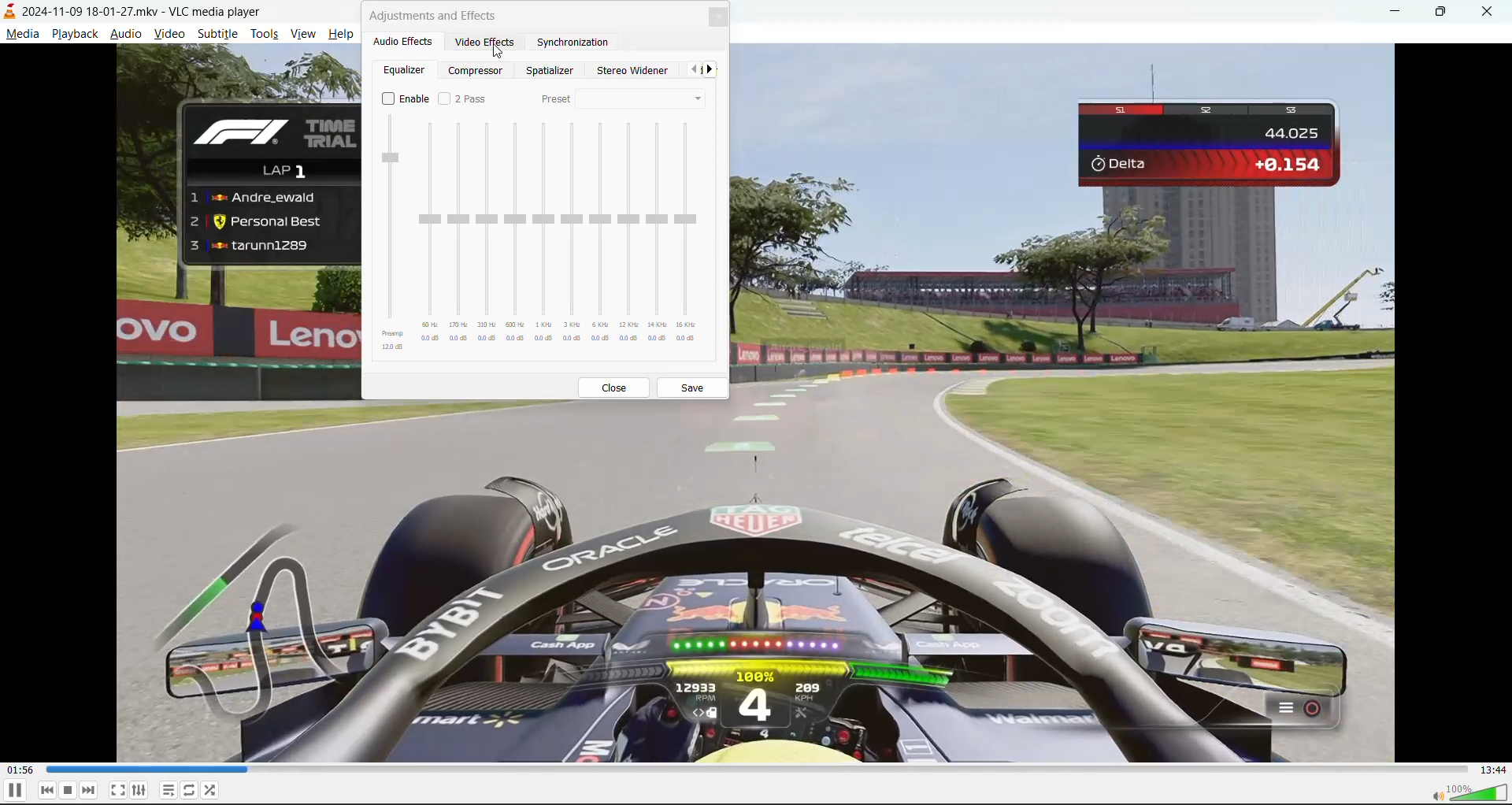 This screenshot has width=1512, height=805. Describe the element at coordinates (19, 770) in the screenshot. I see `current track time` at that location.